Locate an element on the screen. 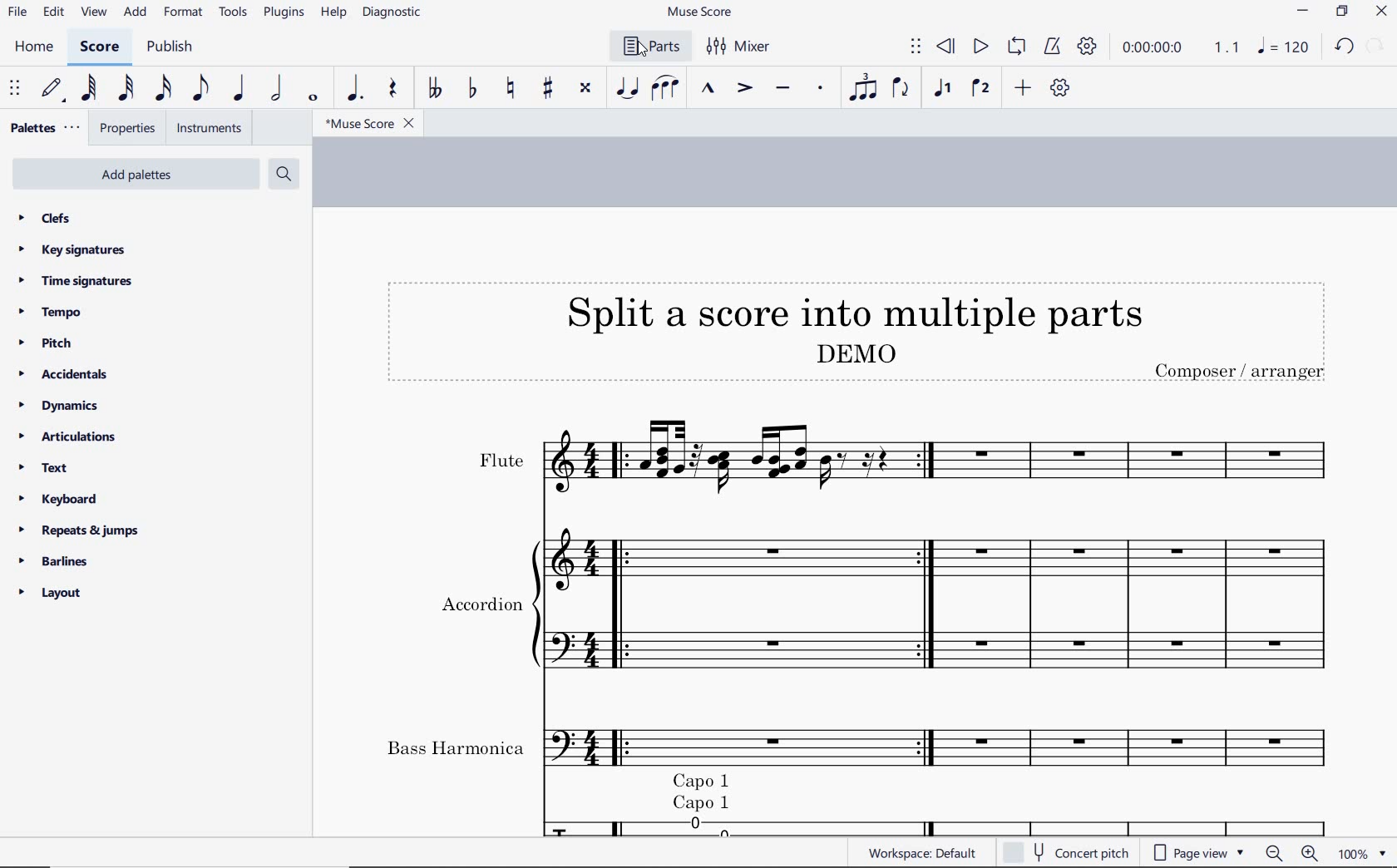 This screenshot has height=868, width=1397. NOTE is located at coordinates (1286, 47).